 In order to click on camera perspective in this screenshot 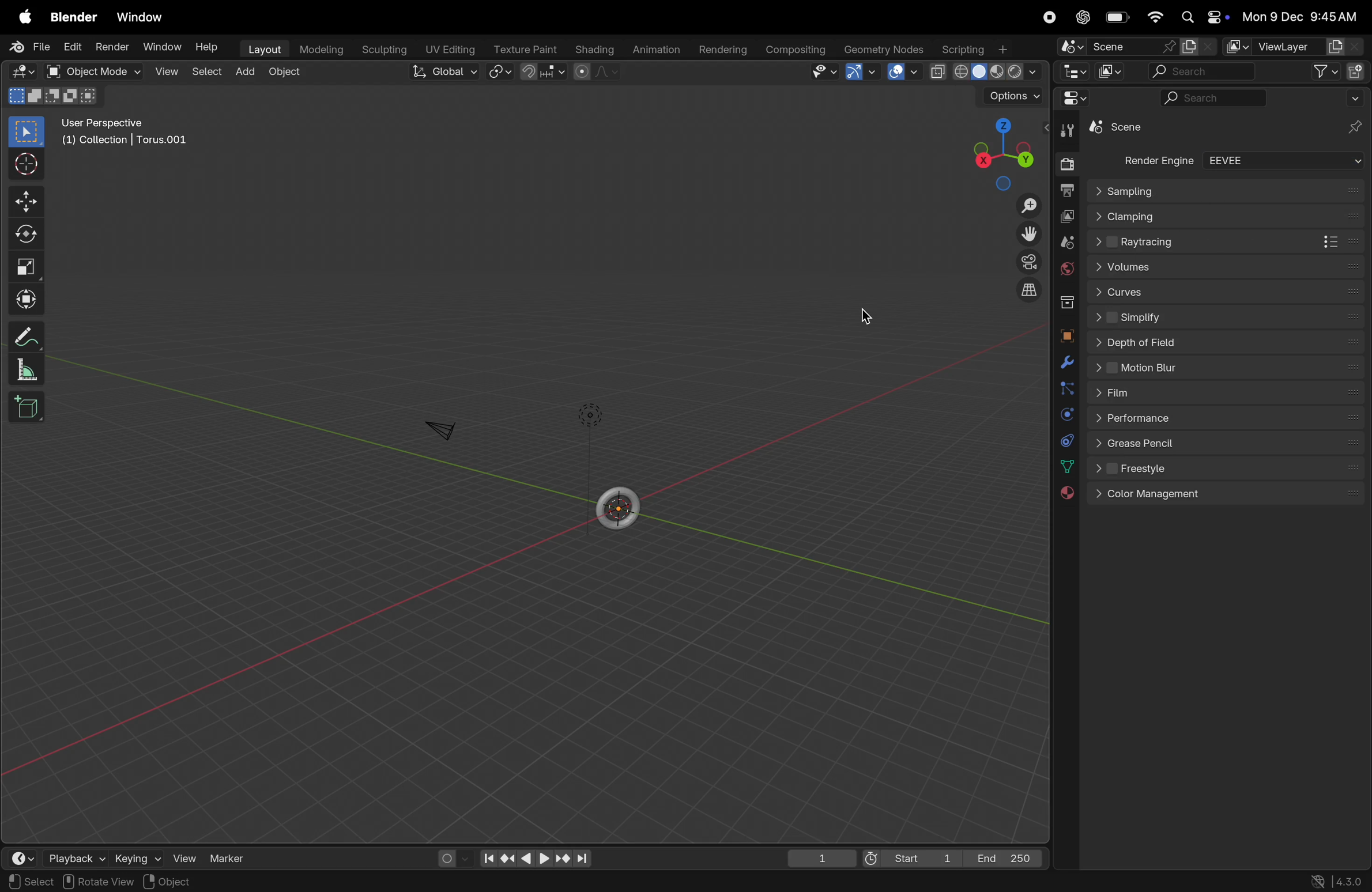, I will do `click(1026, 261)`.